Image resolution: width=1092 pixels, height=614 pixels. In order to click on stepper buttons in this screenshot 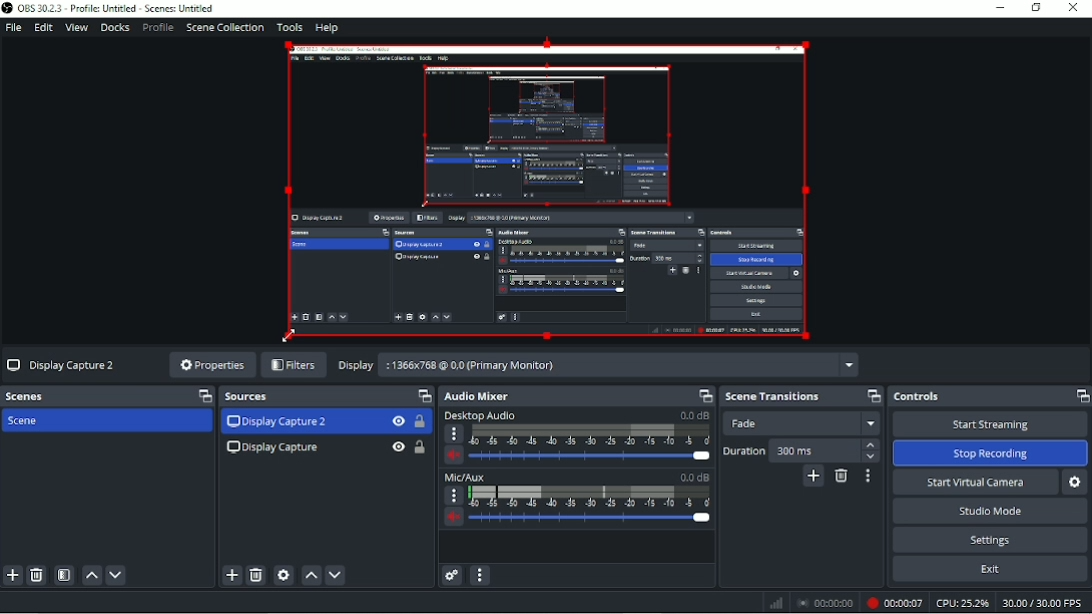, I will do `click(870, 451)`.